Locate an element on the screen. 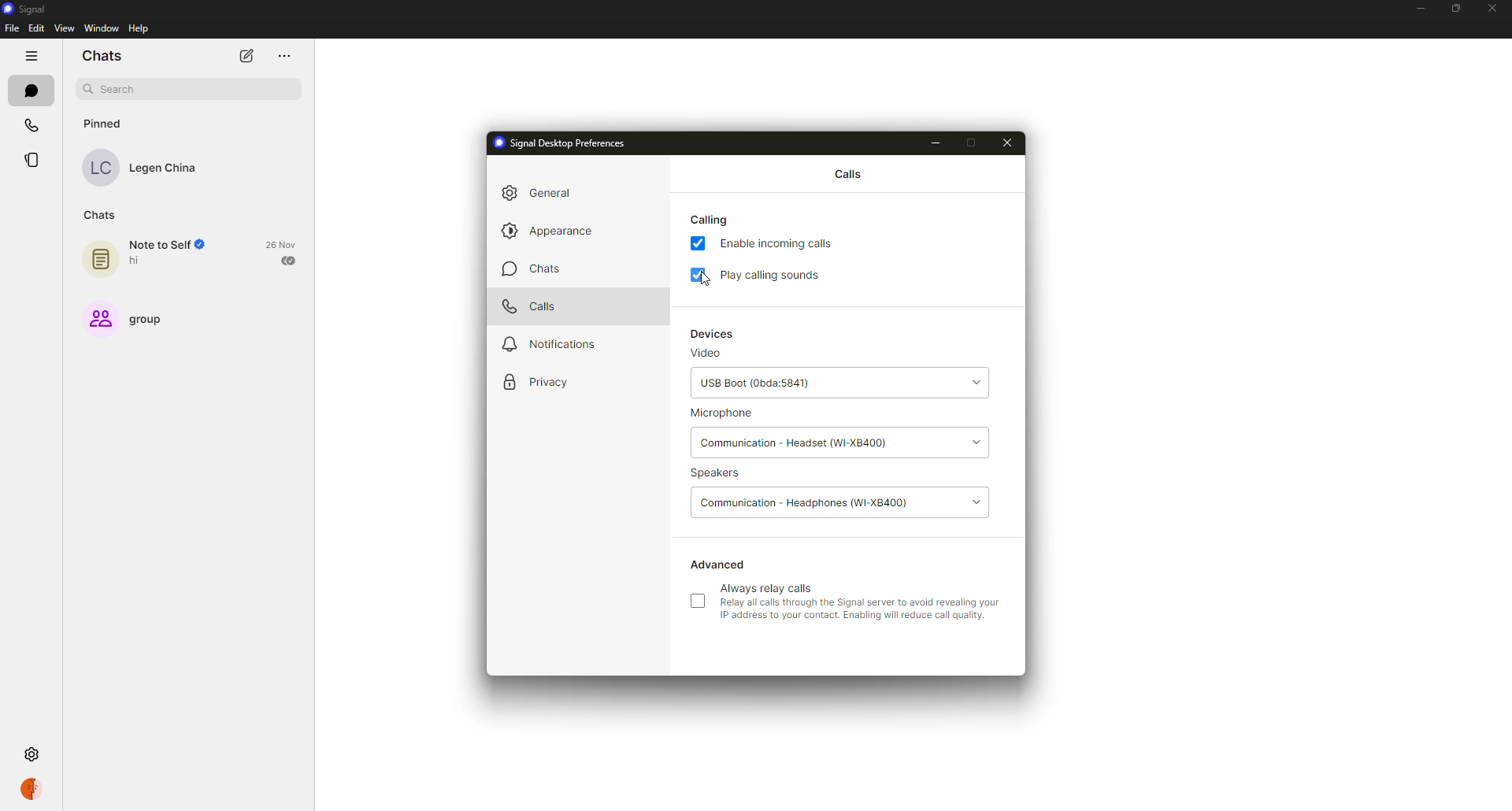  note is located at coordinates (102, 256).